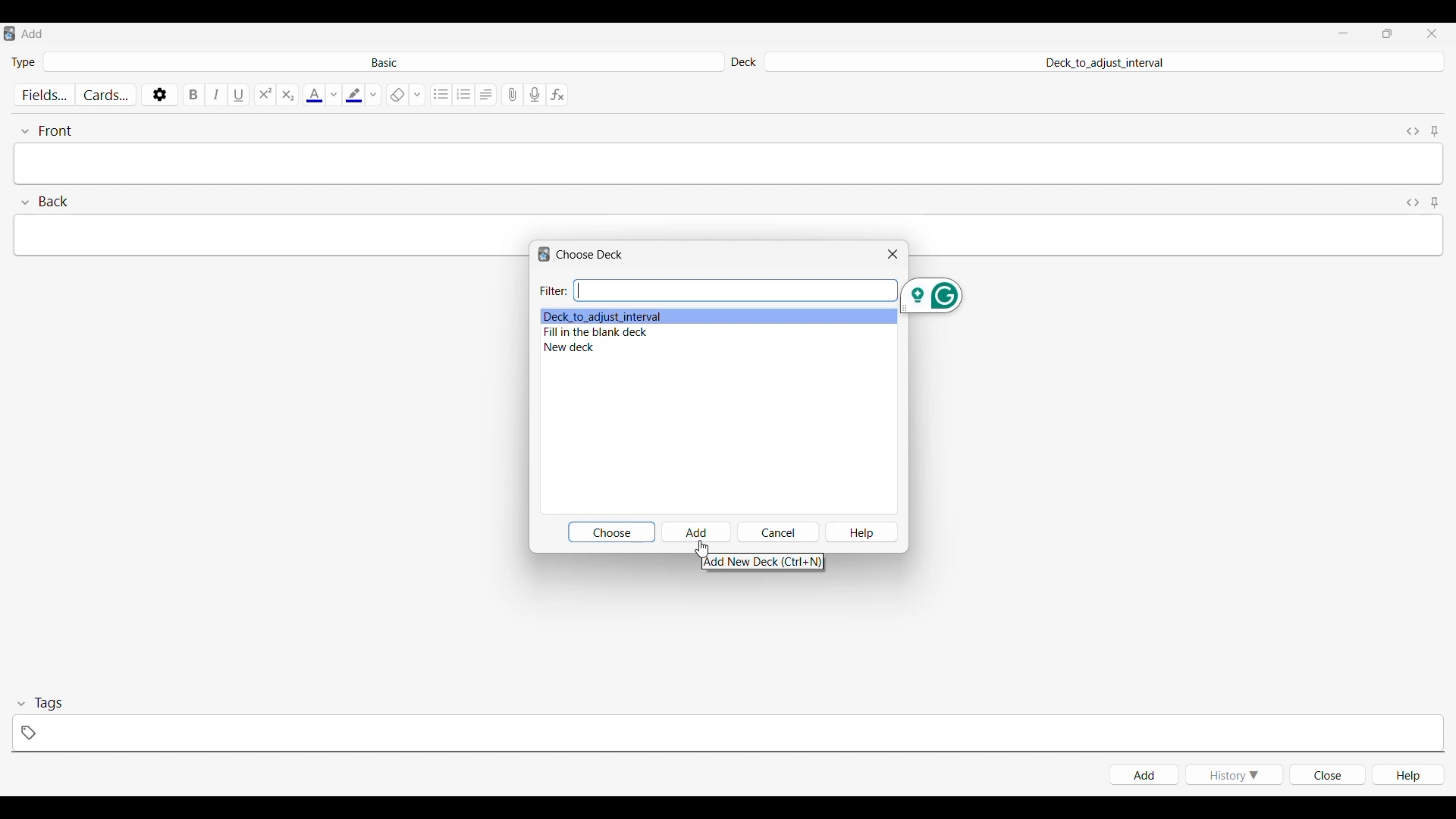 This screenshot has width=1456, height=819. I want to click on Italics, so click(217, 95).